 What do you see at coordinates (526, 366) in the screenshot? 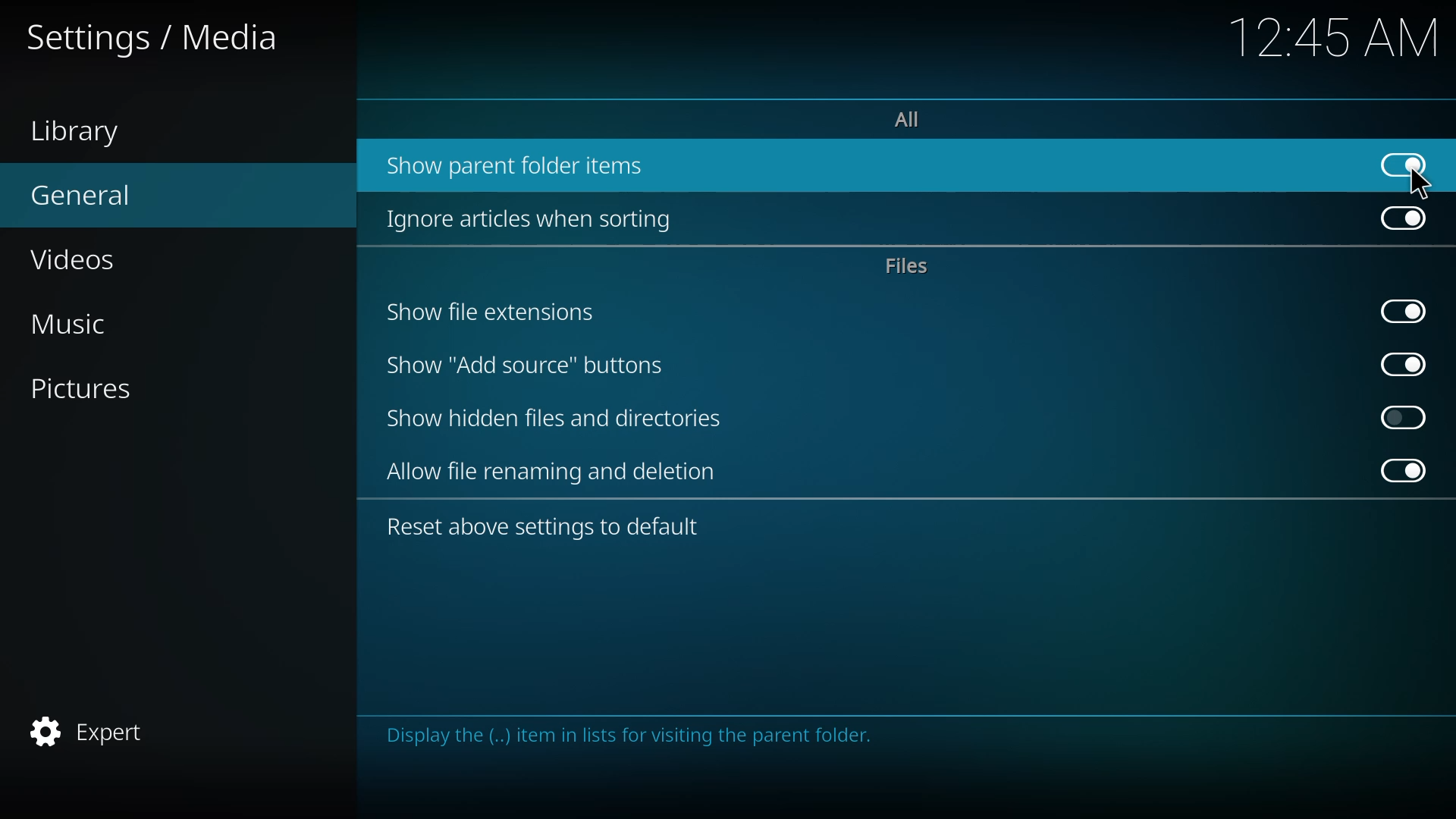
I see `show add source button` at bounding box center [526, 366].